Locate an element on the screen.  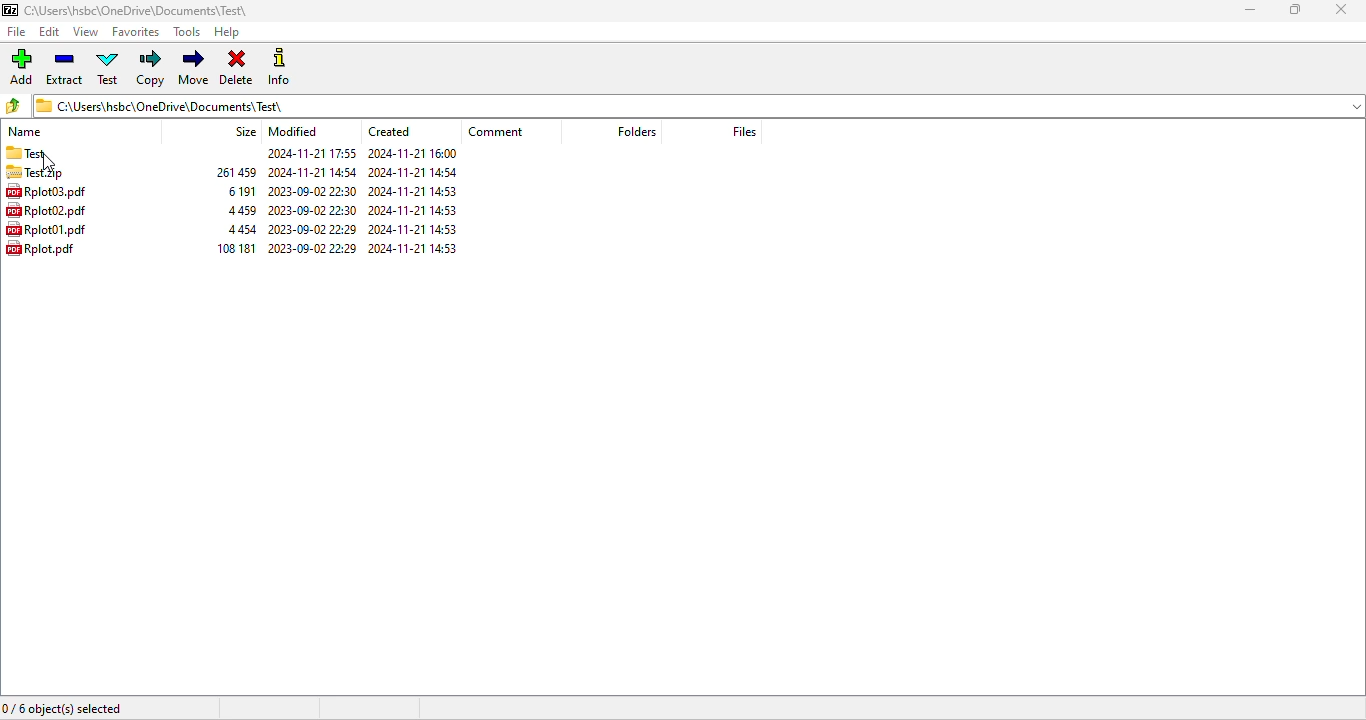
view is located at coordinates (85, 31).